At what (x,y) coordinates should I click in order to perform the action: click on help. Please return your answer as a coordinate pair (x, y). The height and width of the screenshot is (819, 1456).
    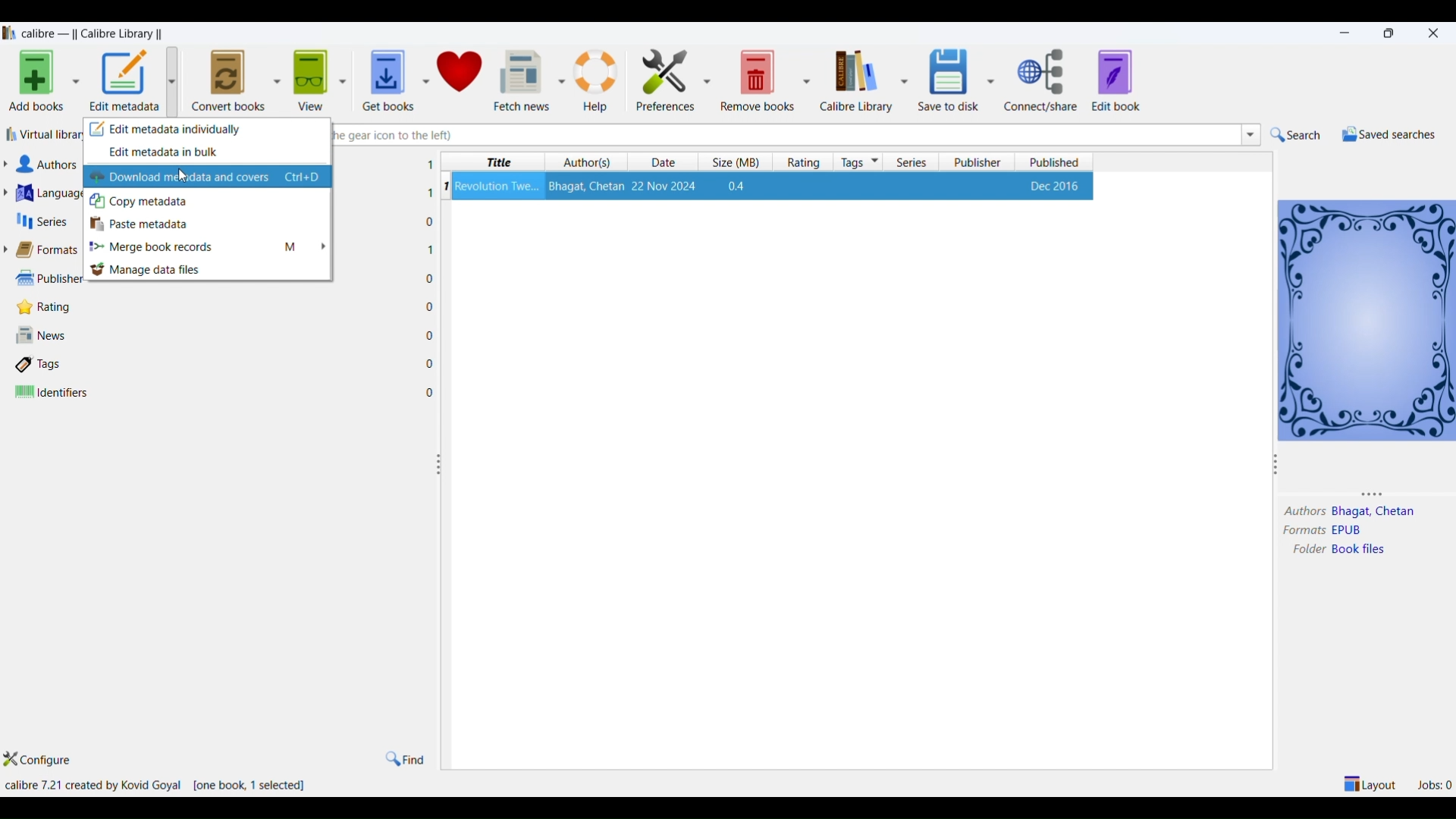
    Looking at the image, I should click on (598, 79).